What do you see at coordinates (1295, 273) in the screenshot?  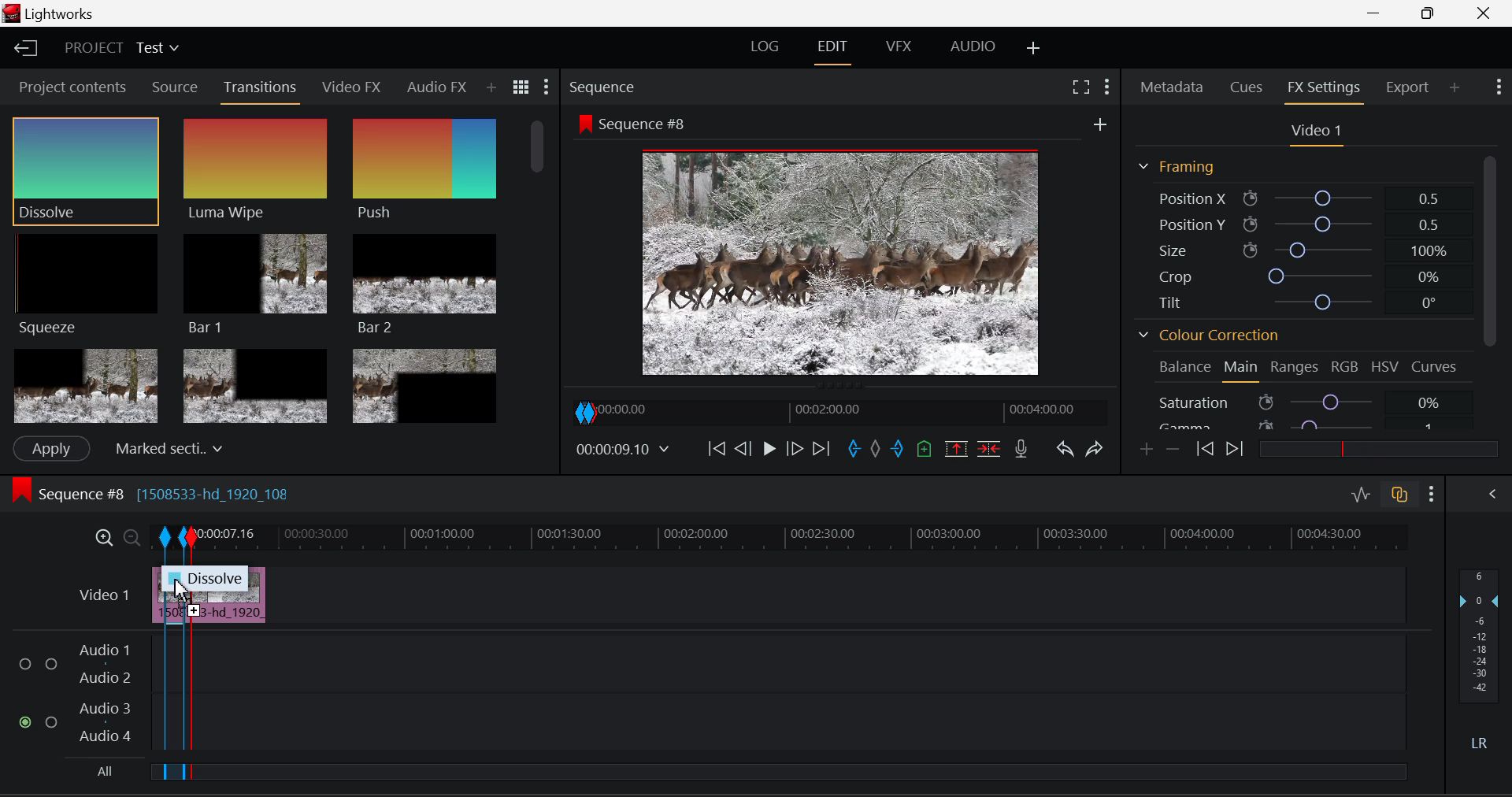 I see `Crop` at bounding box center [1295, 273].